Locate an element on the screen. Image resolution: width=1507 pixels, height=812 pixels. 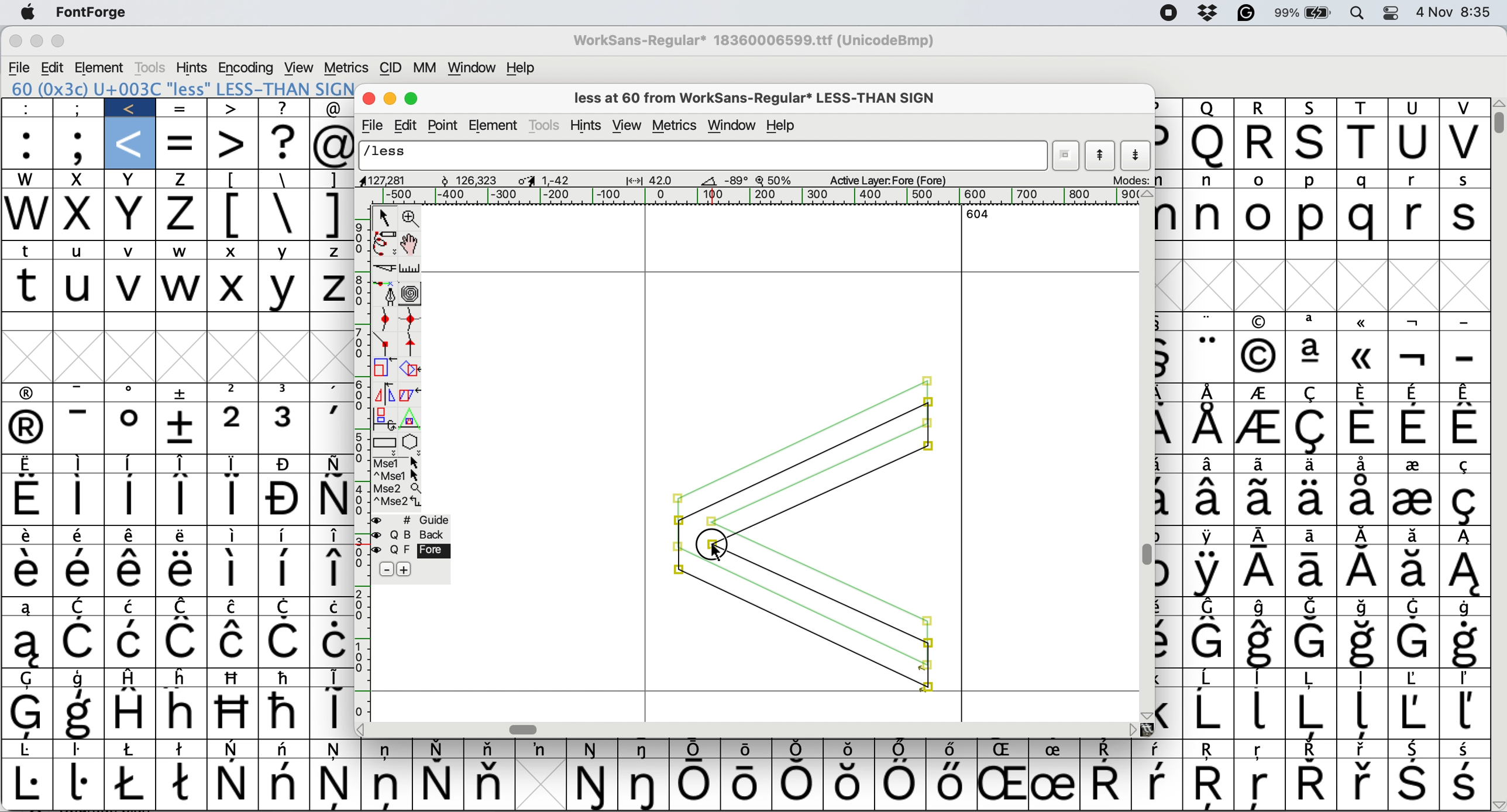
Symbol is located at coordinates (1264, 537).